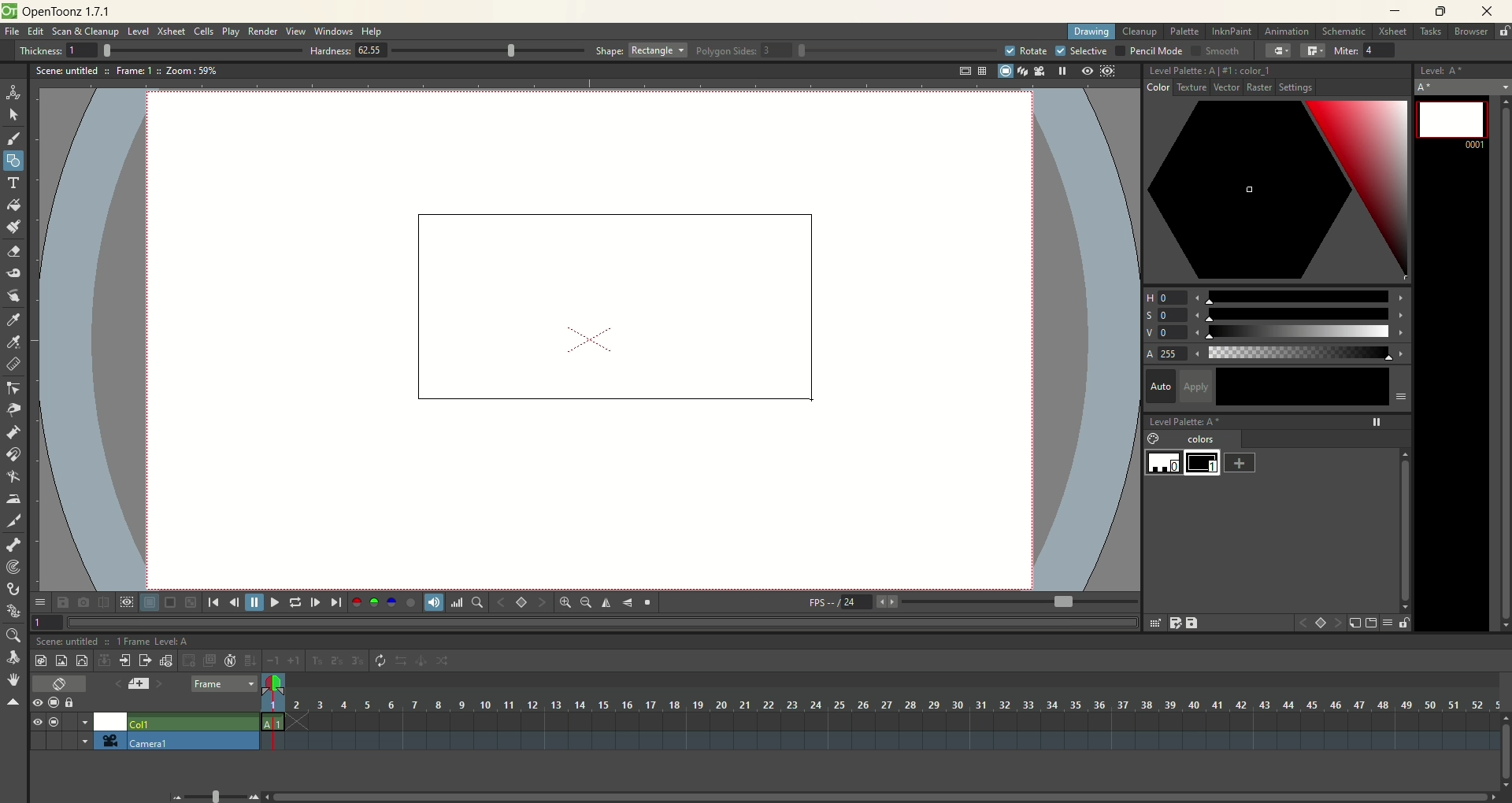 This screenshot has width=1512, height=803. I want to click on sub-camera preview, so click(1109, 72).